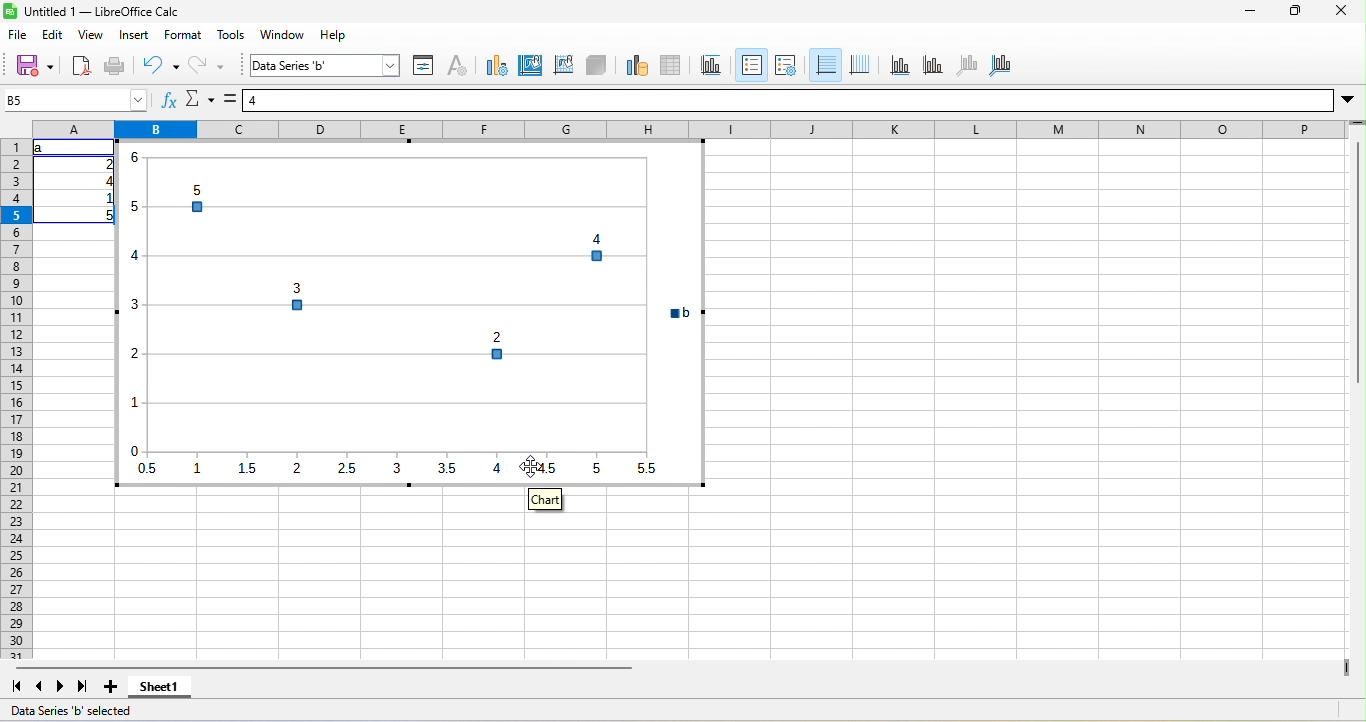 Image resolution: width=1366 pixels, height=722 pixels. I want to click on add sheet, so click(111, 686).